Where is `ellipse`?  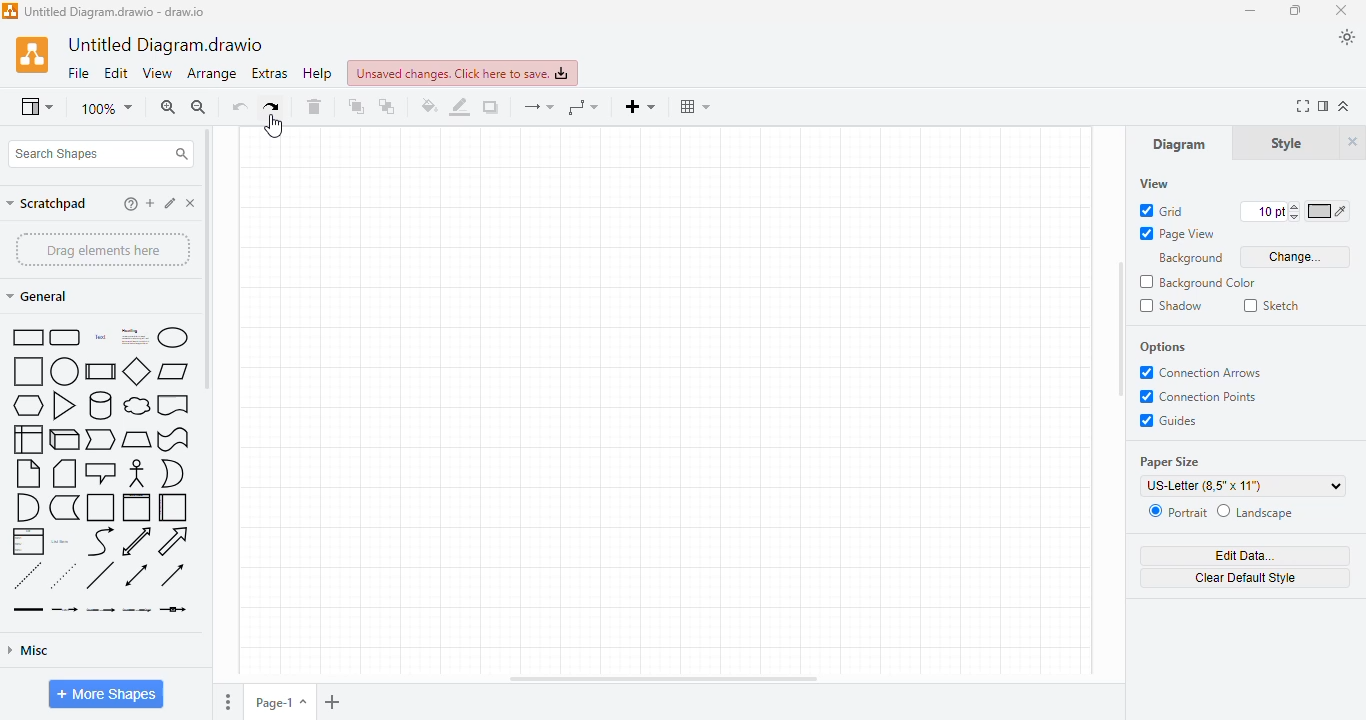
ellipse is located at coordinates (172, 337).